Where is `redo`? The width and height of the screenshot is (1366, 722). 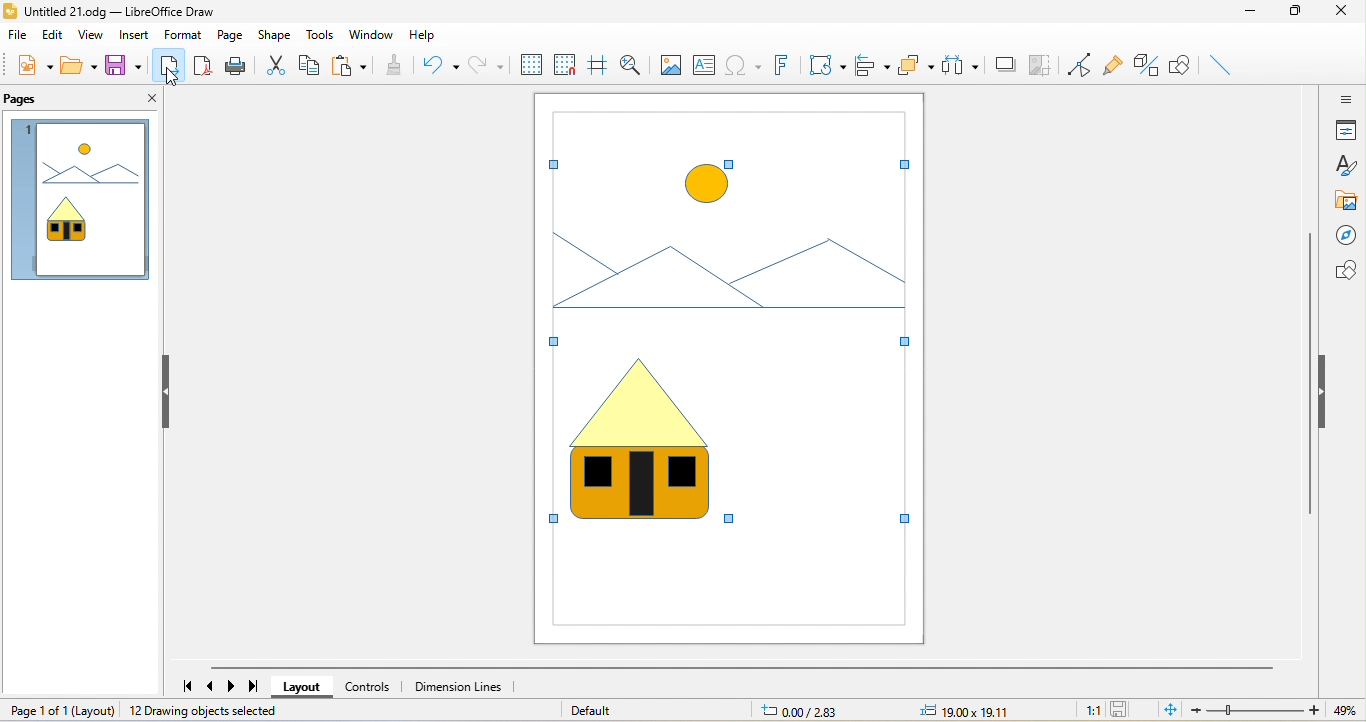 redo is located at coordinates (487, 65).